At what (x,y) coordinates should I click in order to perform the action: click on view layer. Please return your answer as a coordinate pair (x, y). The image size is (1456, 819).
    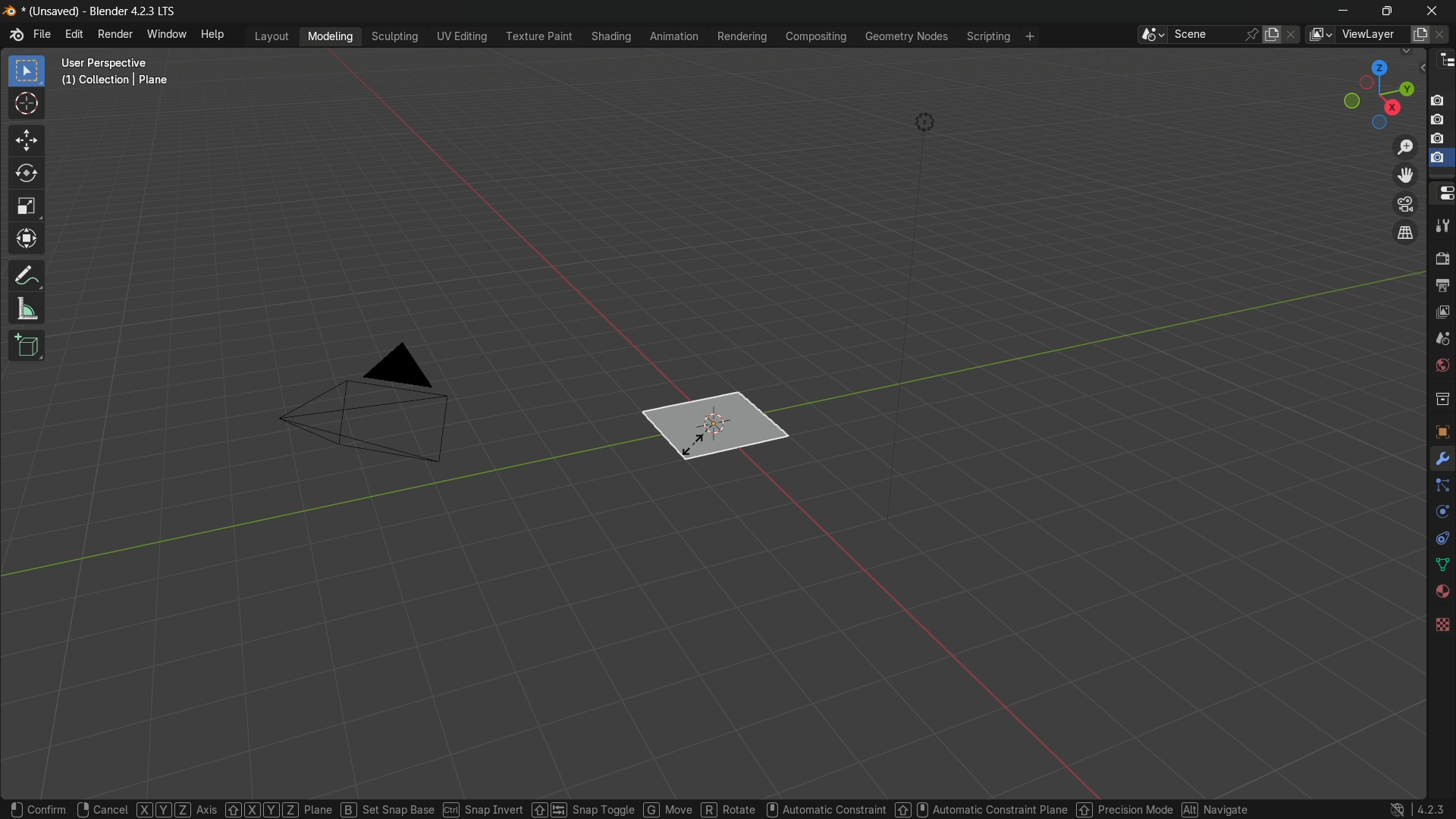
    Looking at the image, I should click on (1441, 311).